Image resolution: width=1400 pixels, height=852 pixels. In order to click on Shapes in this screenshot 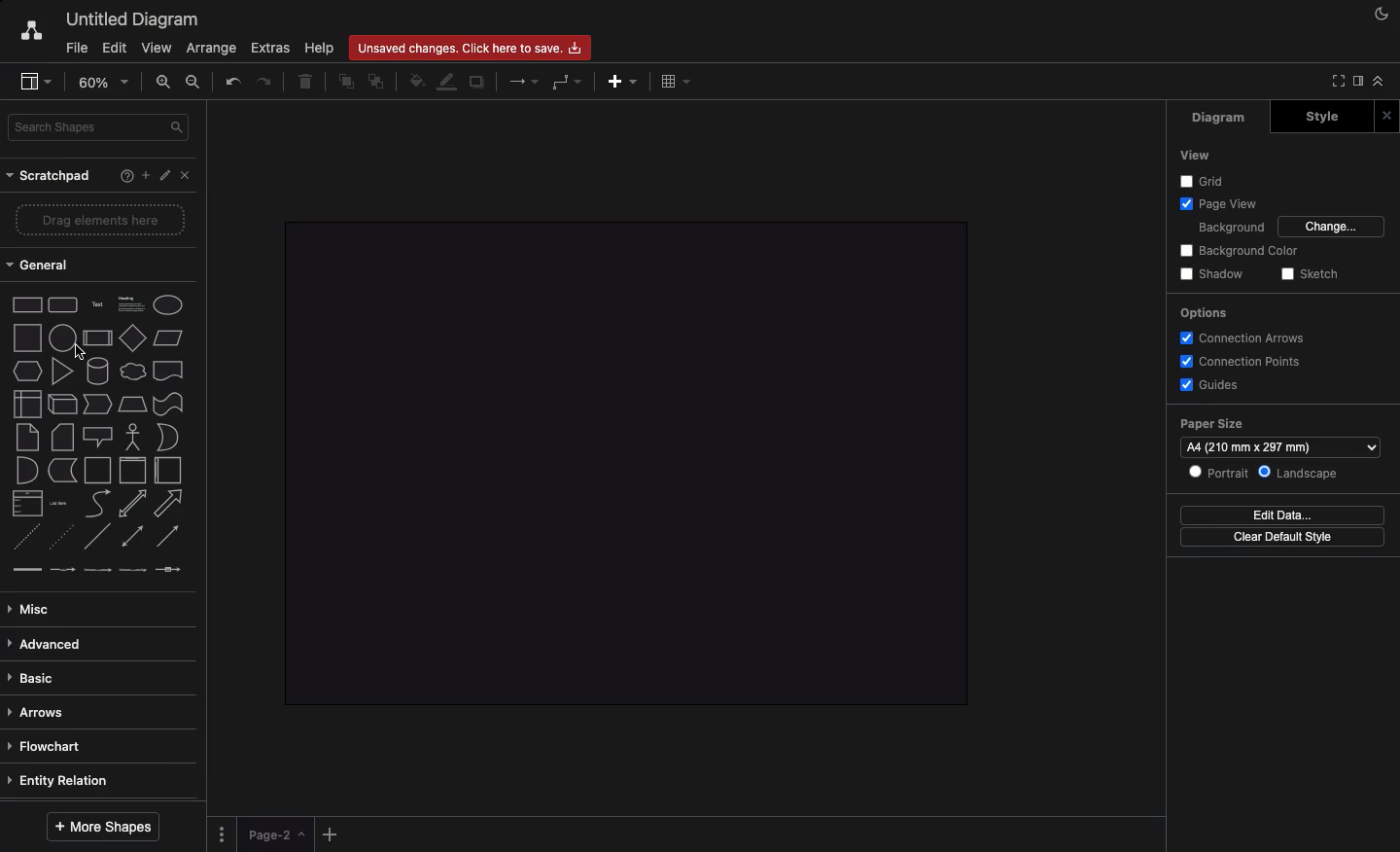, I will do `click(143, 451)`.